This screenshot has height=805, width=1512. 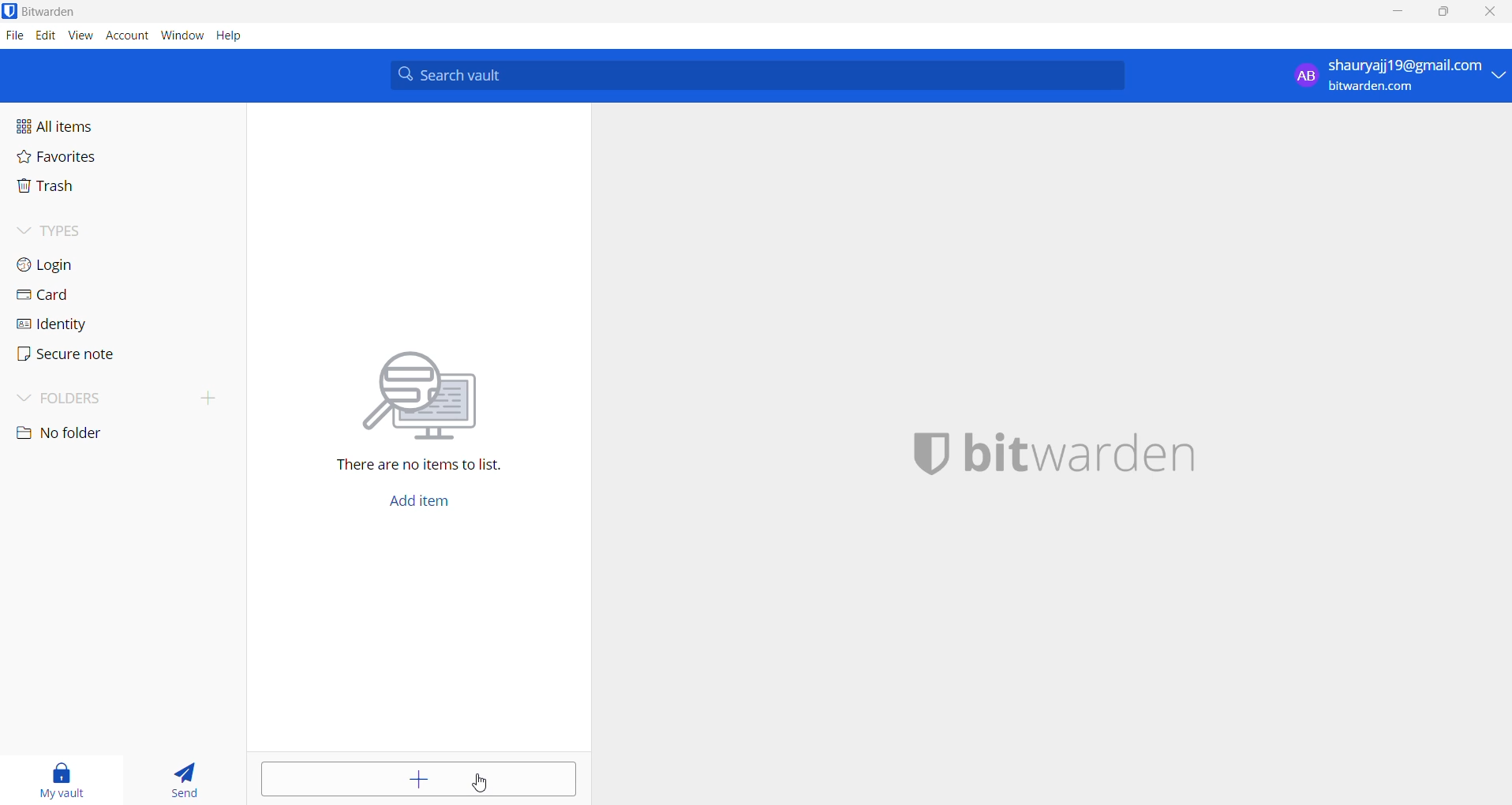 I want to click on card, so click(x=83, y=295).